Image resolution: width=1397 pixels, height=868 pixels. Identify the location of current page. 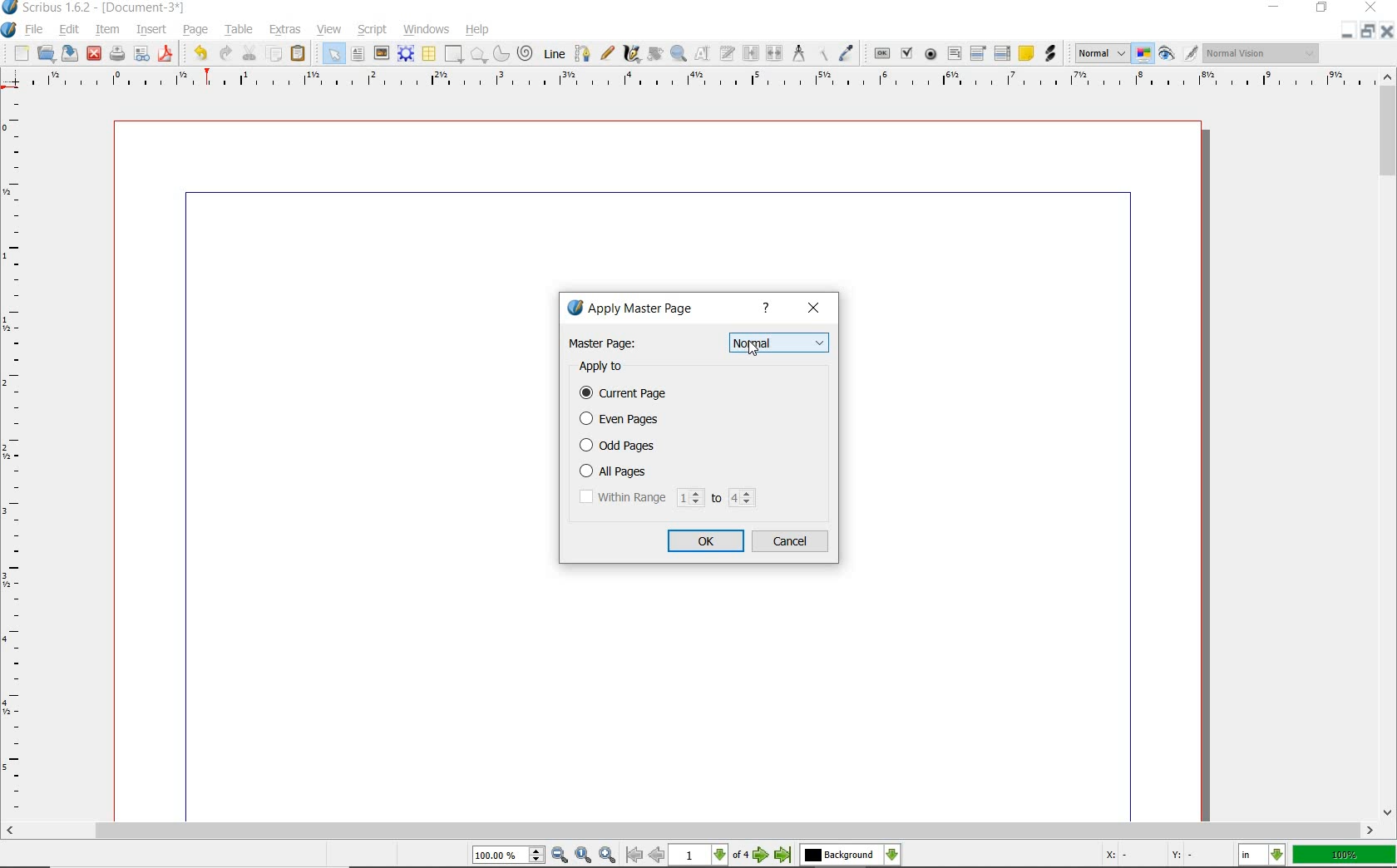
(632, 394).